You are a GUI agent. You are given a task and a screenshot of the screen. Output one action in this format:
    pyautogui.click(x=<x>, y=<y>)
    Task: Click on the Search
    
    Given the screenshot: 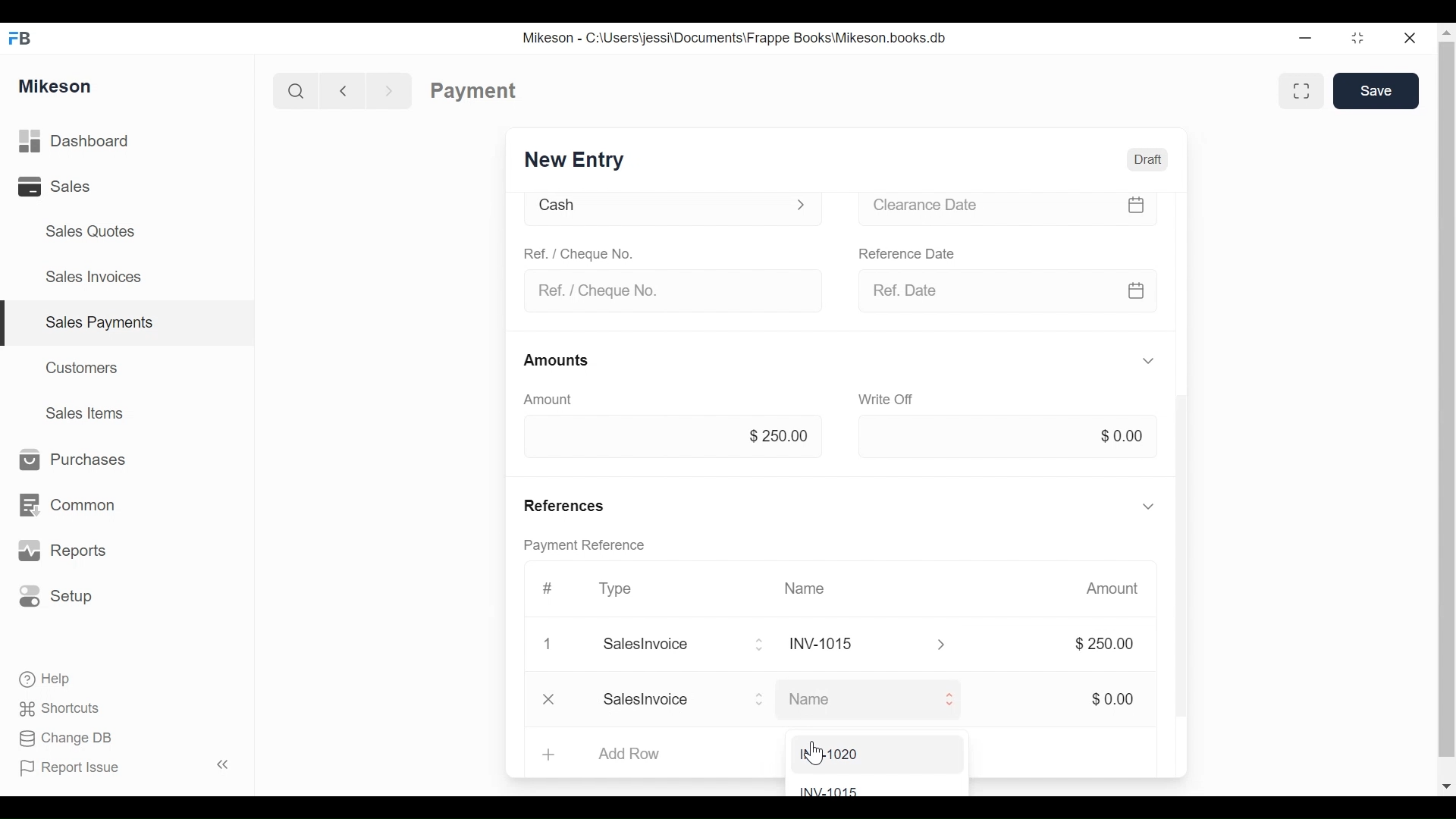 What is the action you would take?
    pyautogui.click(x=291, y=89)
    